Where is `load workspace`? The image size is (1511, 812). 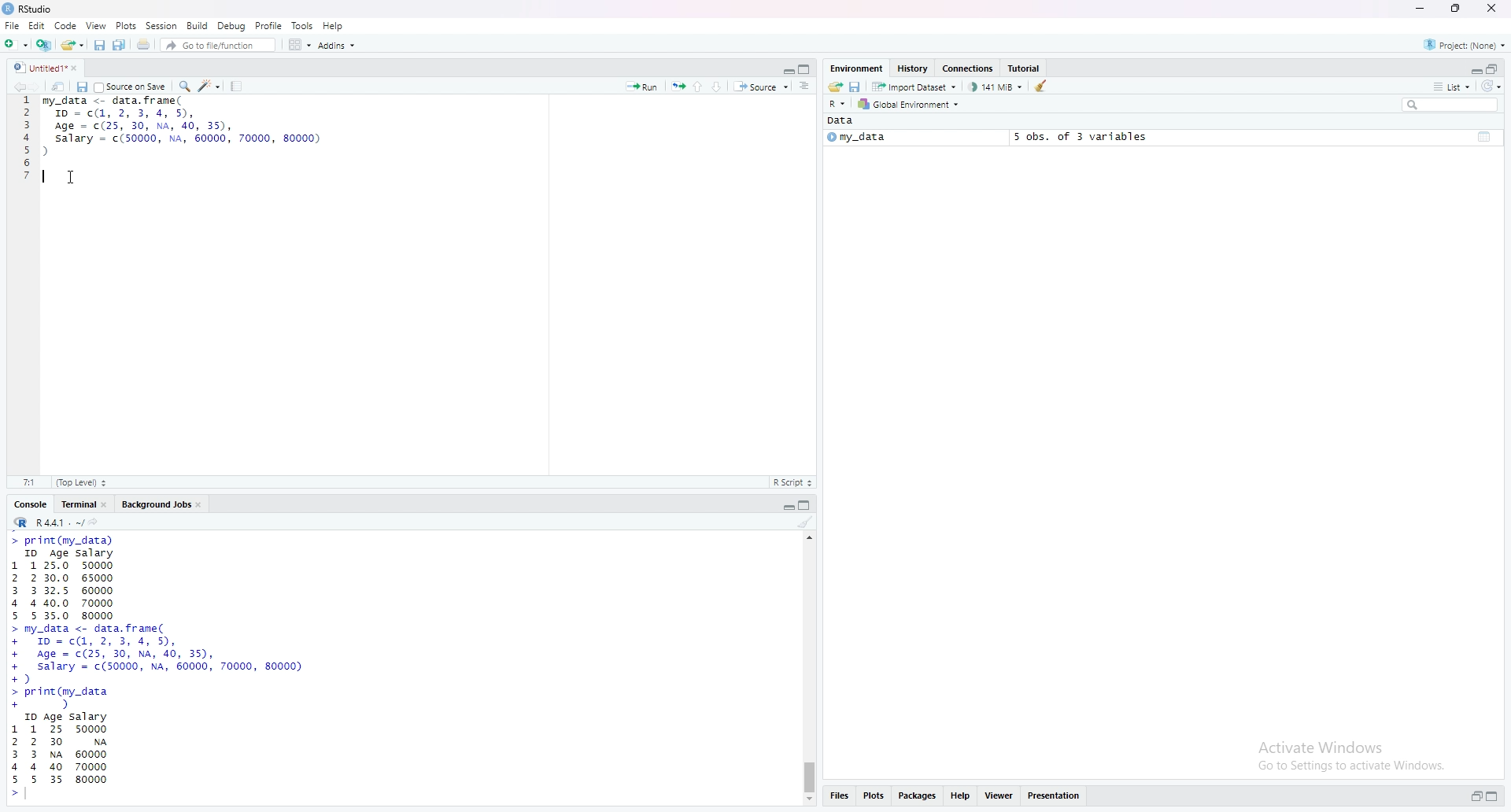 load workspace is located at coordinates (834, 87).